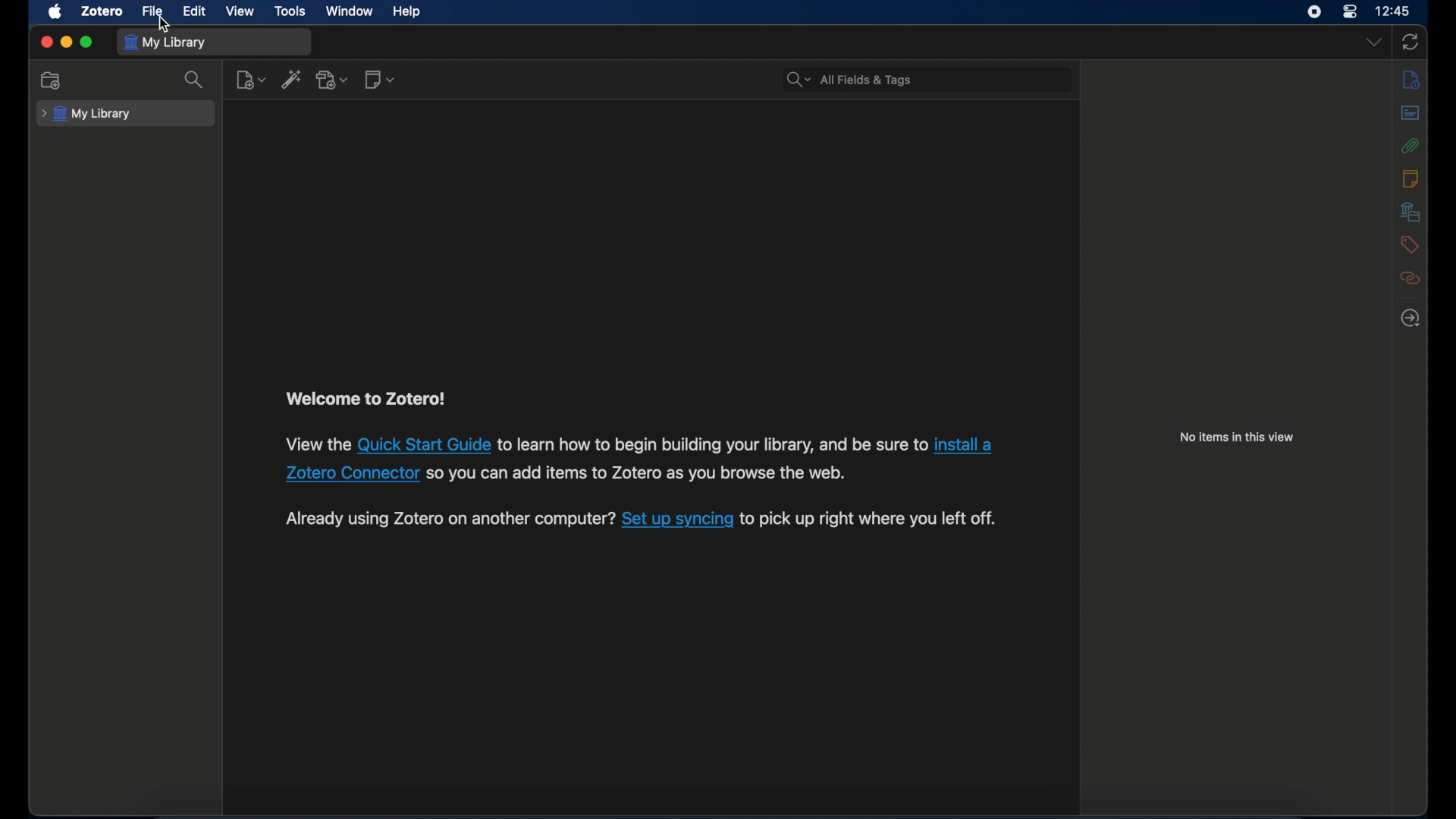 The image size is (1456, 819). What do you see at coordinates (251, 80) in the screenshot?
I see `new item` at bounding box center [251, 80].